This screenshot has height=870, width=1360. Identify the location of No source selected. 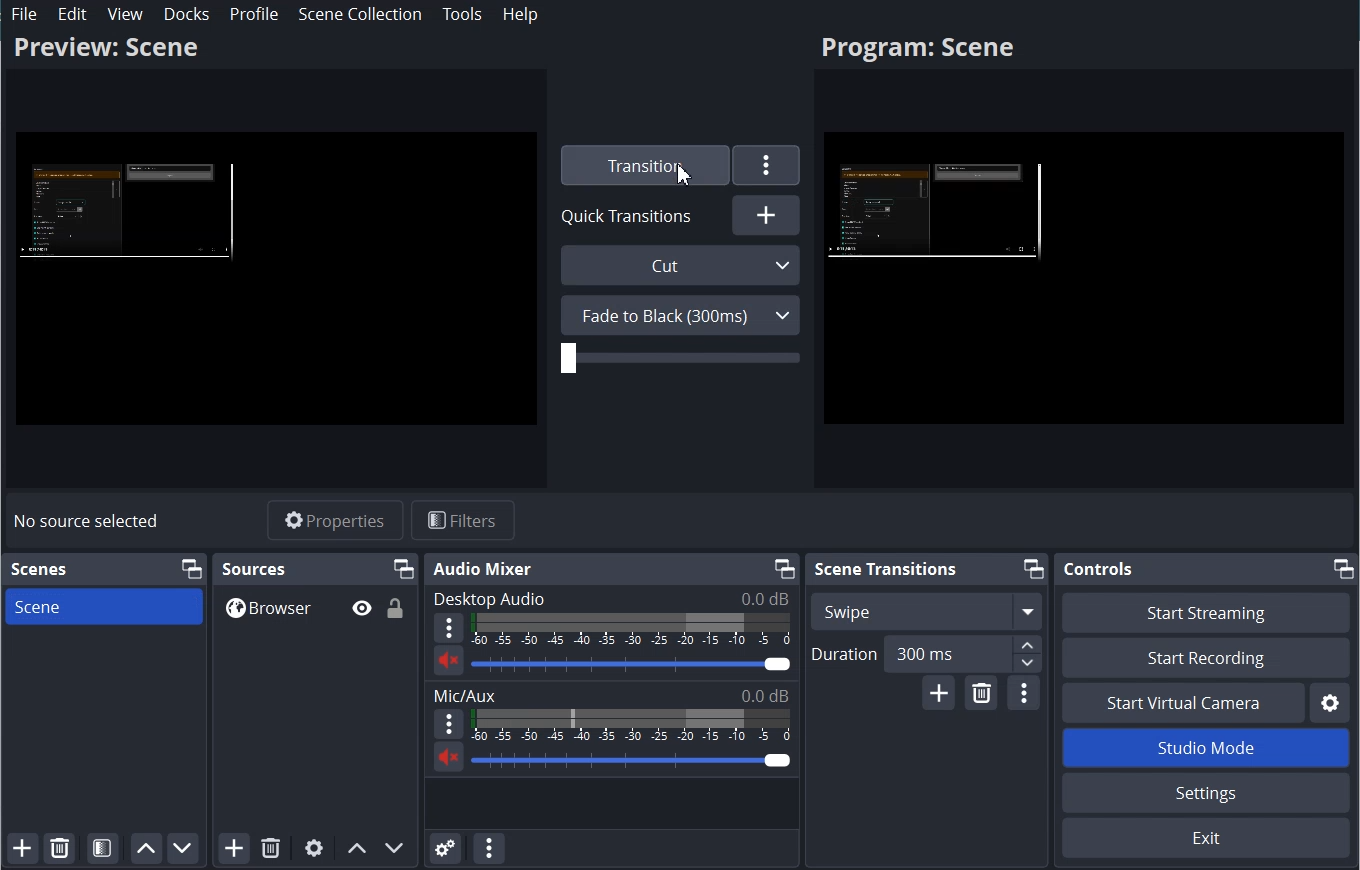
(87, 521).